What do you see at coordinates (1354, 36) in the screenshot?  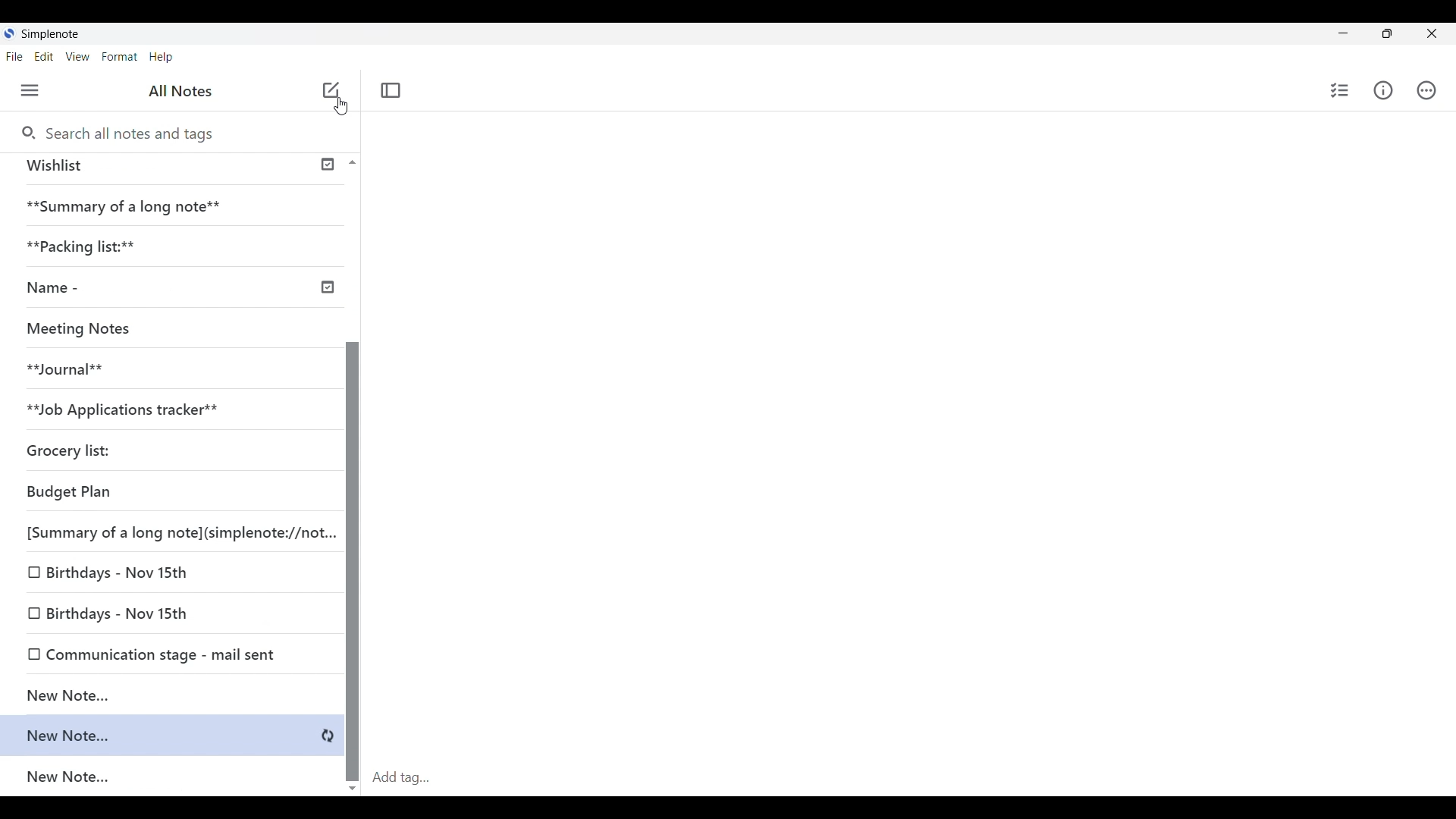 I see `minimize` at bounding box center [1354, 36].